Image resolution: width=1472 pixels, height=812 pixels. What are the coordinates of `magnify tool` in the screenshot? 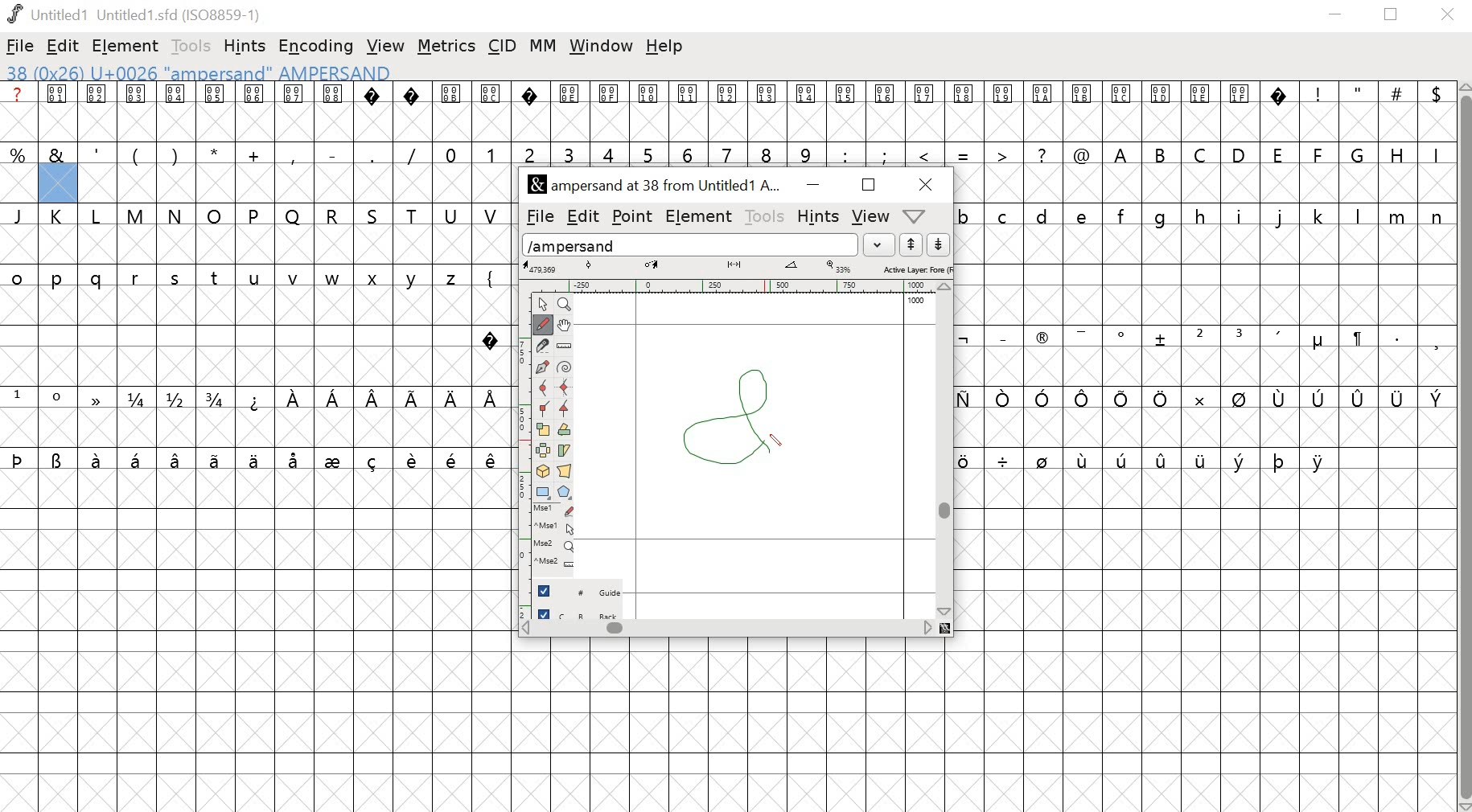 It's located at (567, 303).